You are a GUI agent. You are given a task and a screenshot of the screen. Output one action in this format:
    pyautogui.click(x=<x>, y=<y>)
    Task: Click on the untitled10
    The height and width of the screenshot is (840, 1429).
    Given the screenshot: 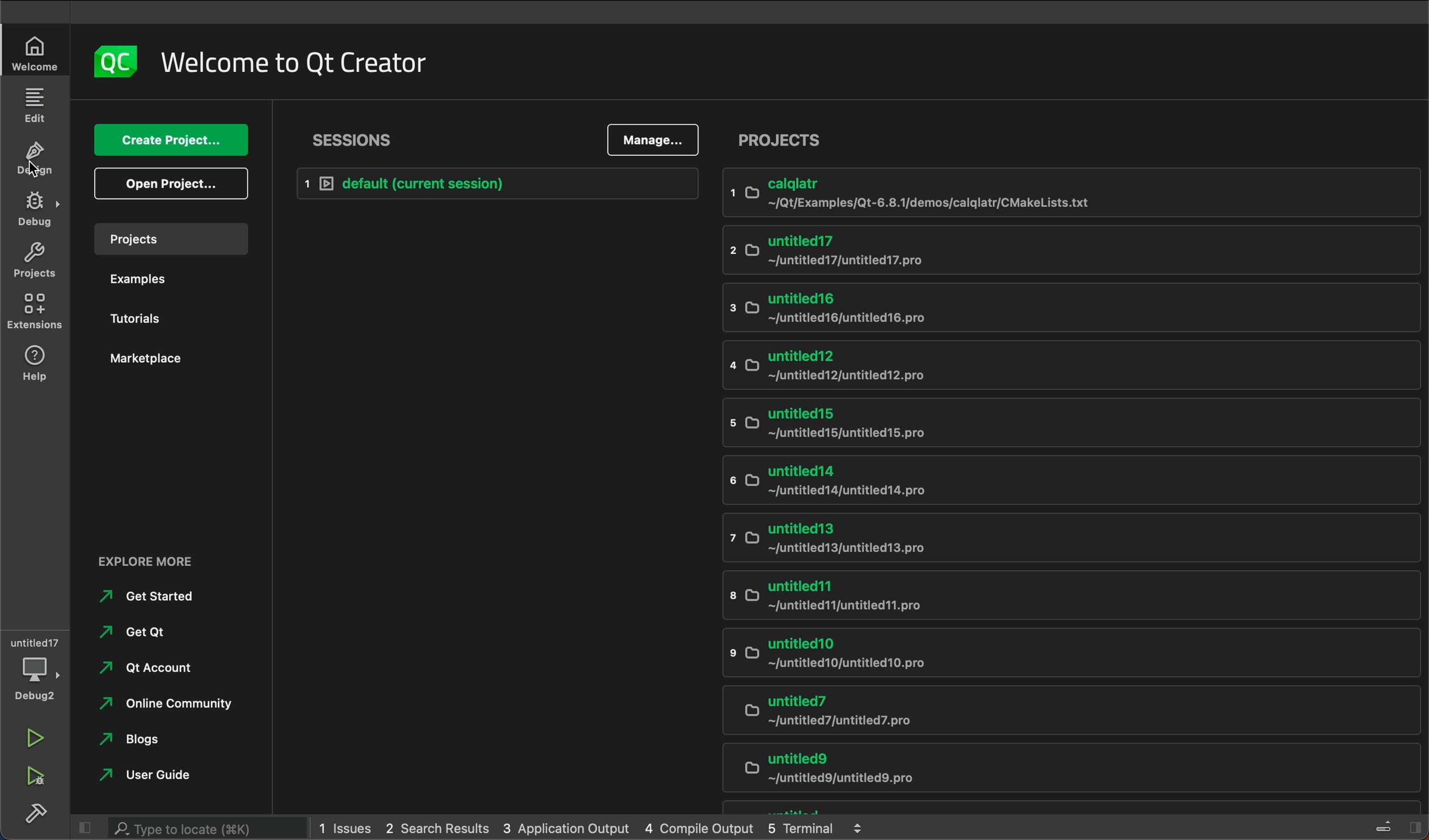 What is the action you would take?
    pyautogui.click(x=1044, y=653)
    